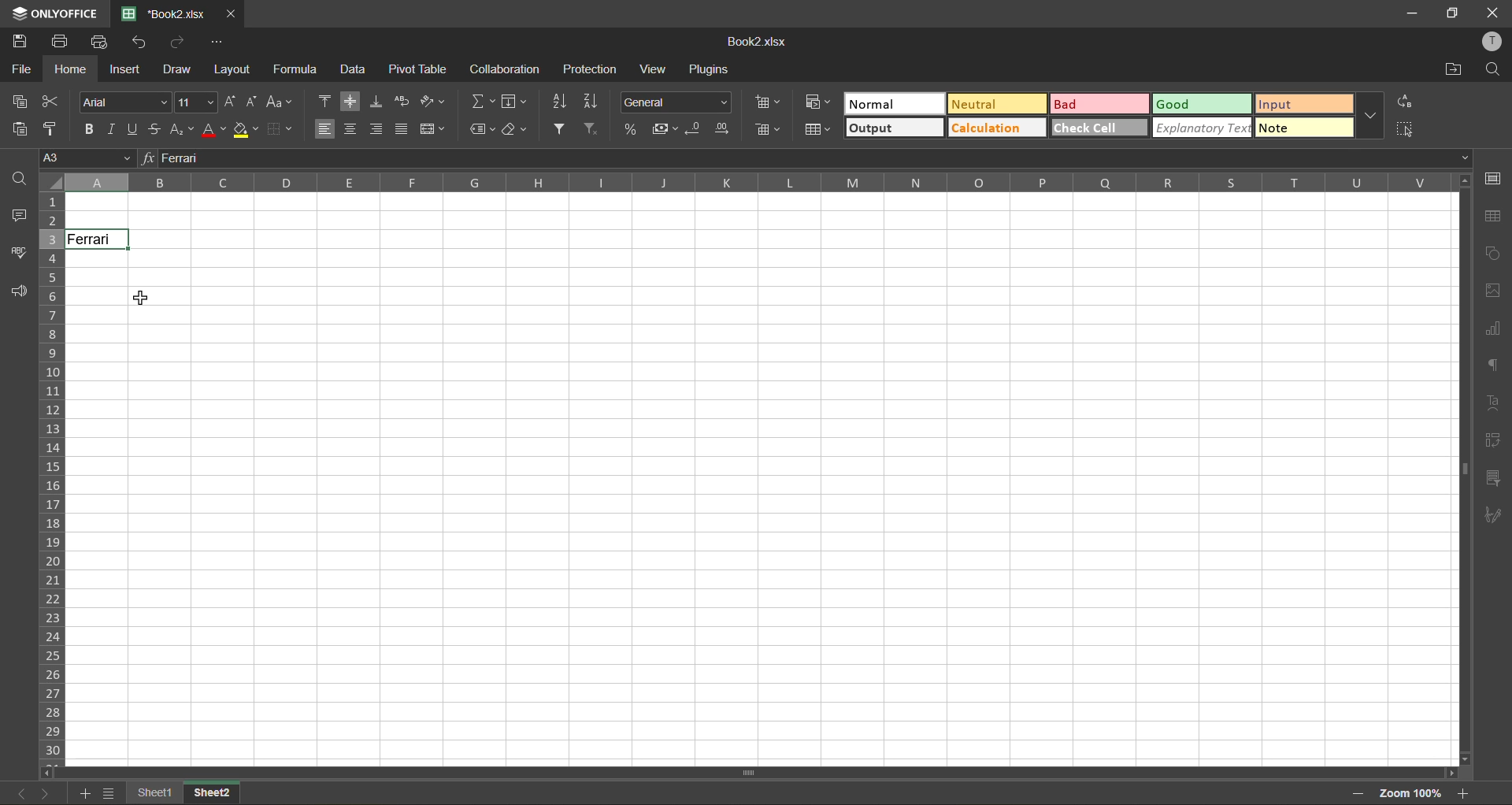 This screenshot has width=1512, height=805. I want to click on decrement size, so click(252, 102).